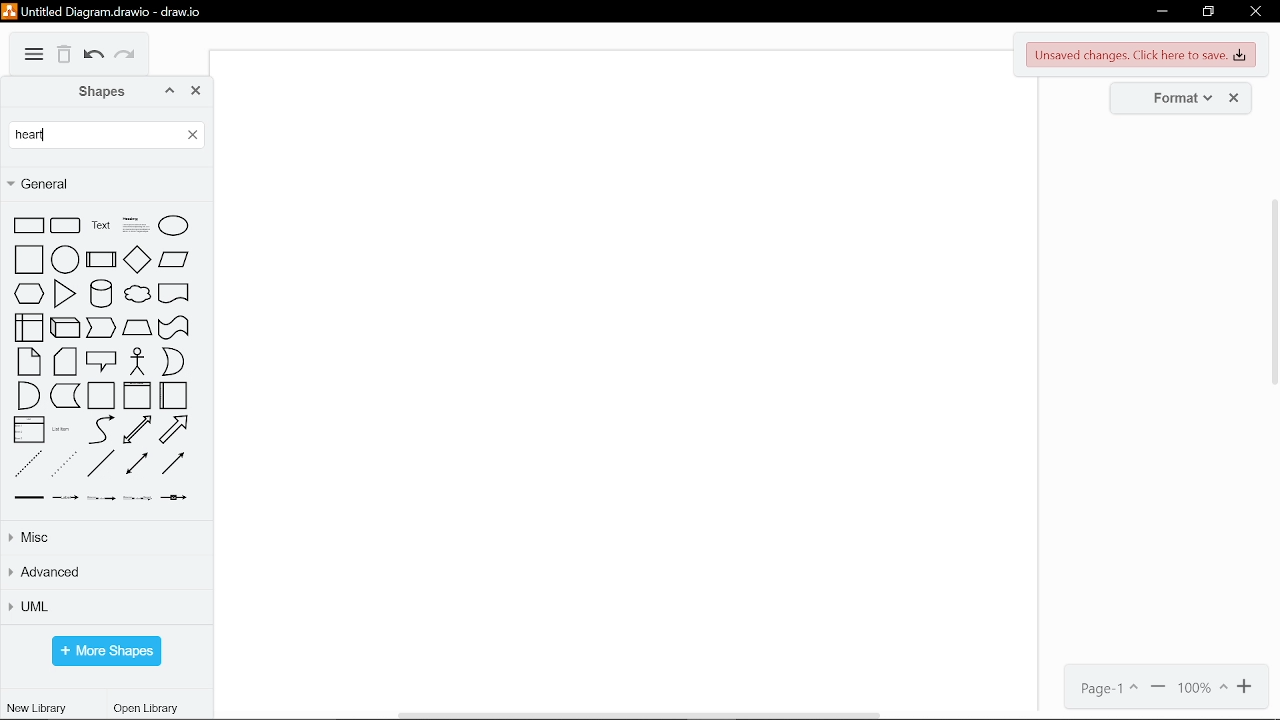 The width and height of the screenshot is (1280, 720). I want to click on container, so click(101, 397).